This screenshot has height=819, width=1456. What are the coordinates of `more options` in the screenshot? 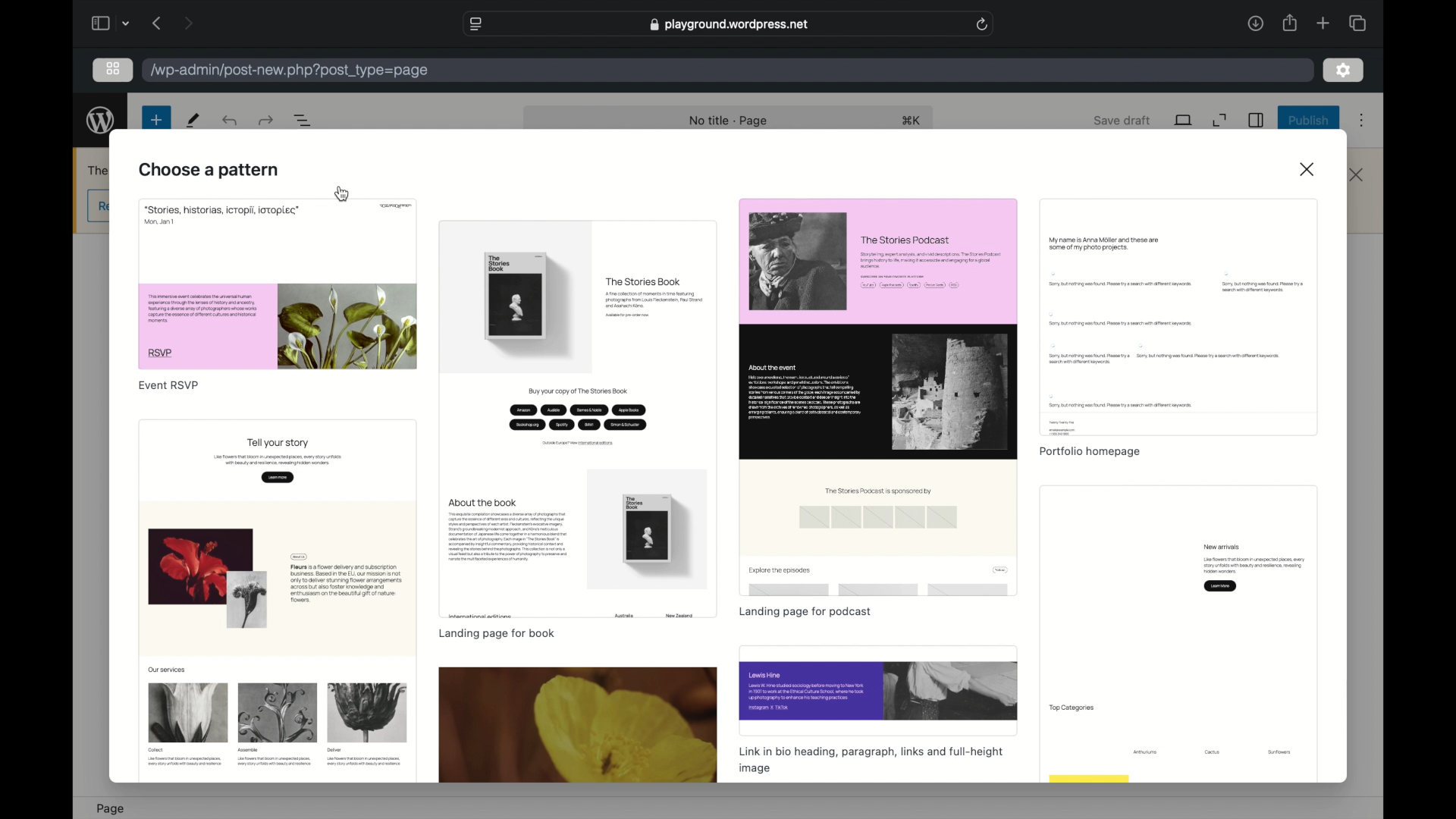 It's located at (1361, 120).